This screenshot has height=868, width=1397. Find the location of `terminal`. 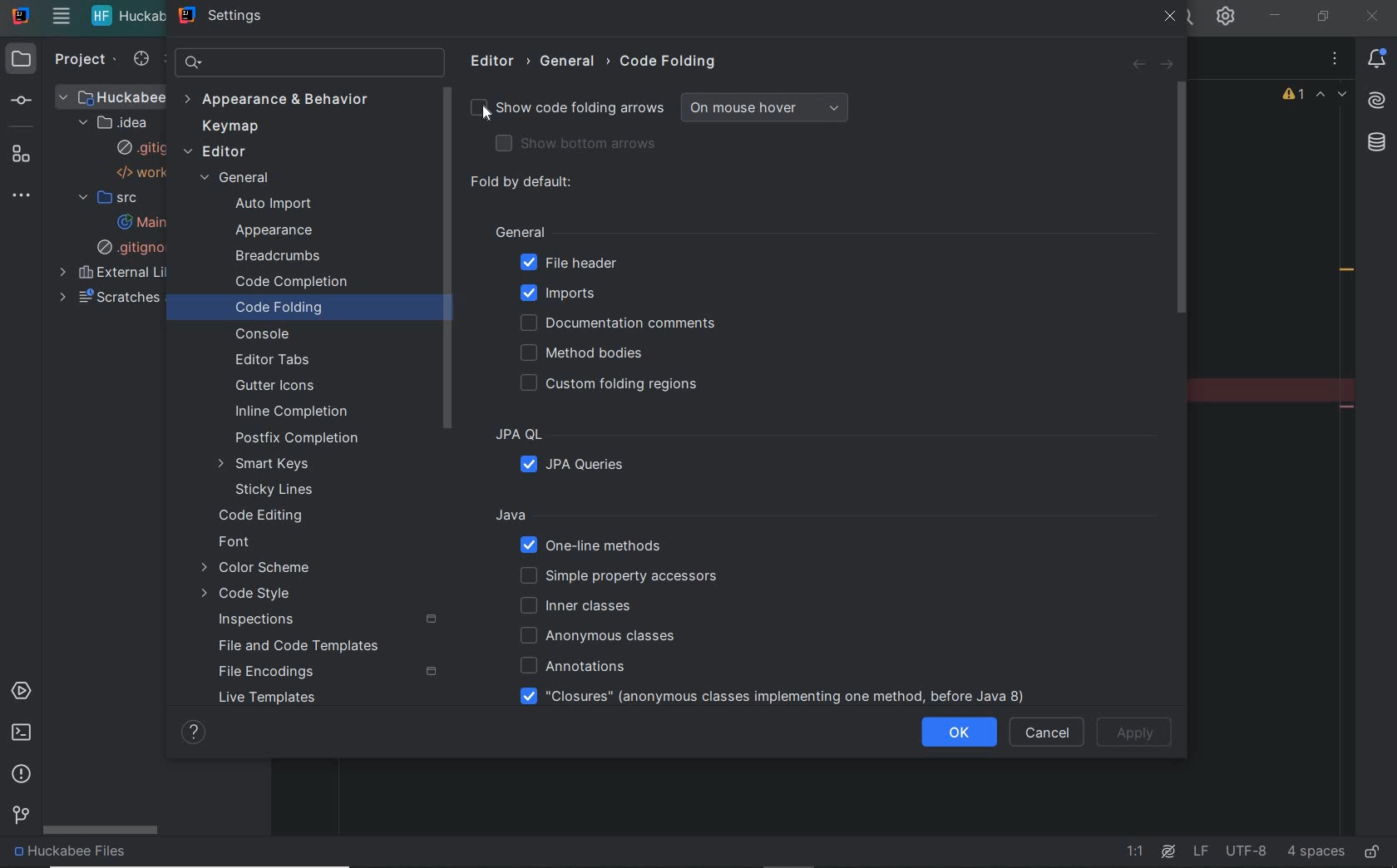

terminal is located at coordinates (21, 733).